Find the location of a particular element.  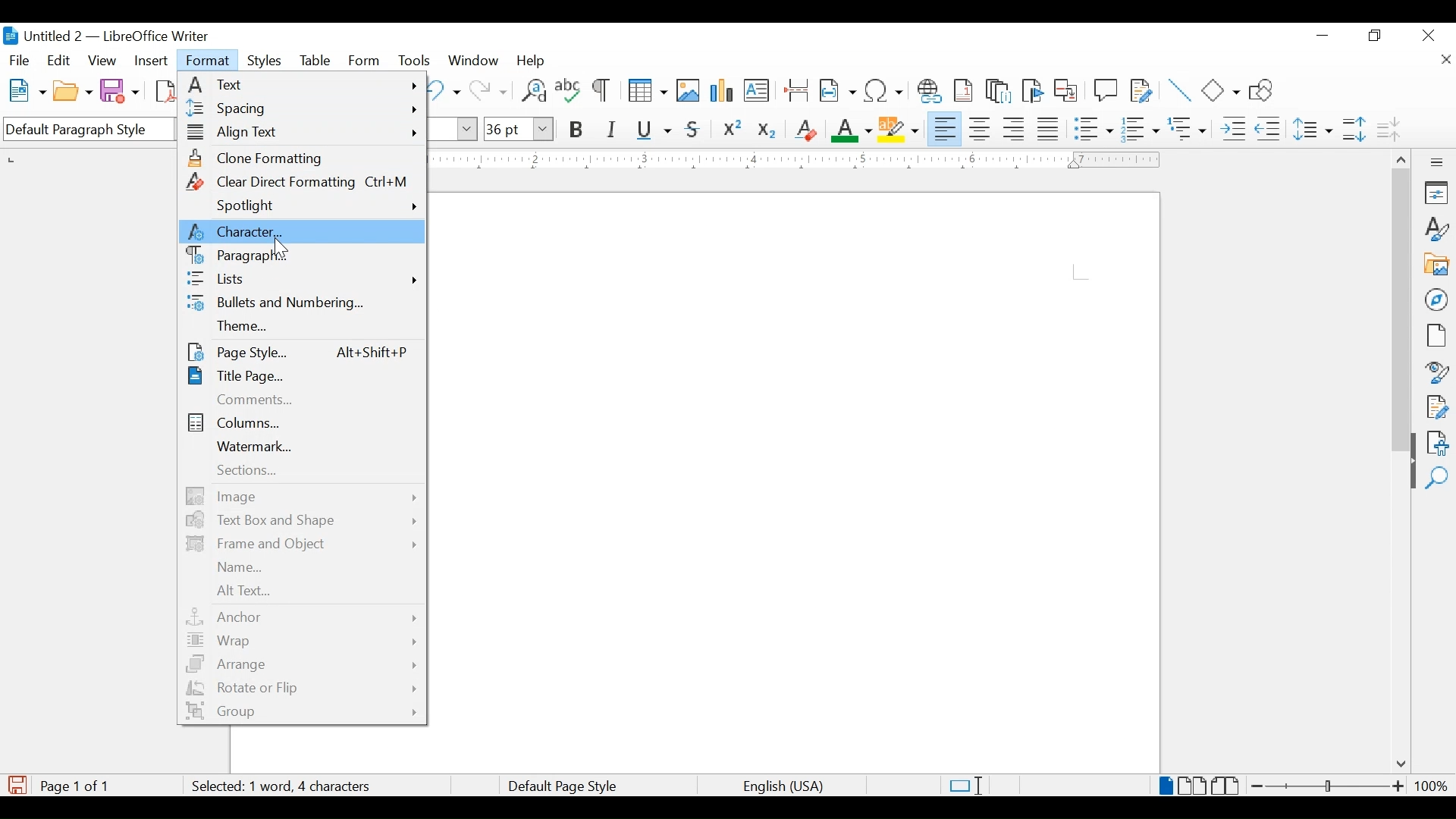

multi page view is located at coordinates (1194, 786).